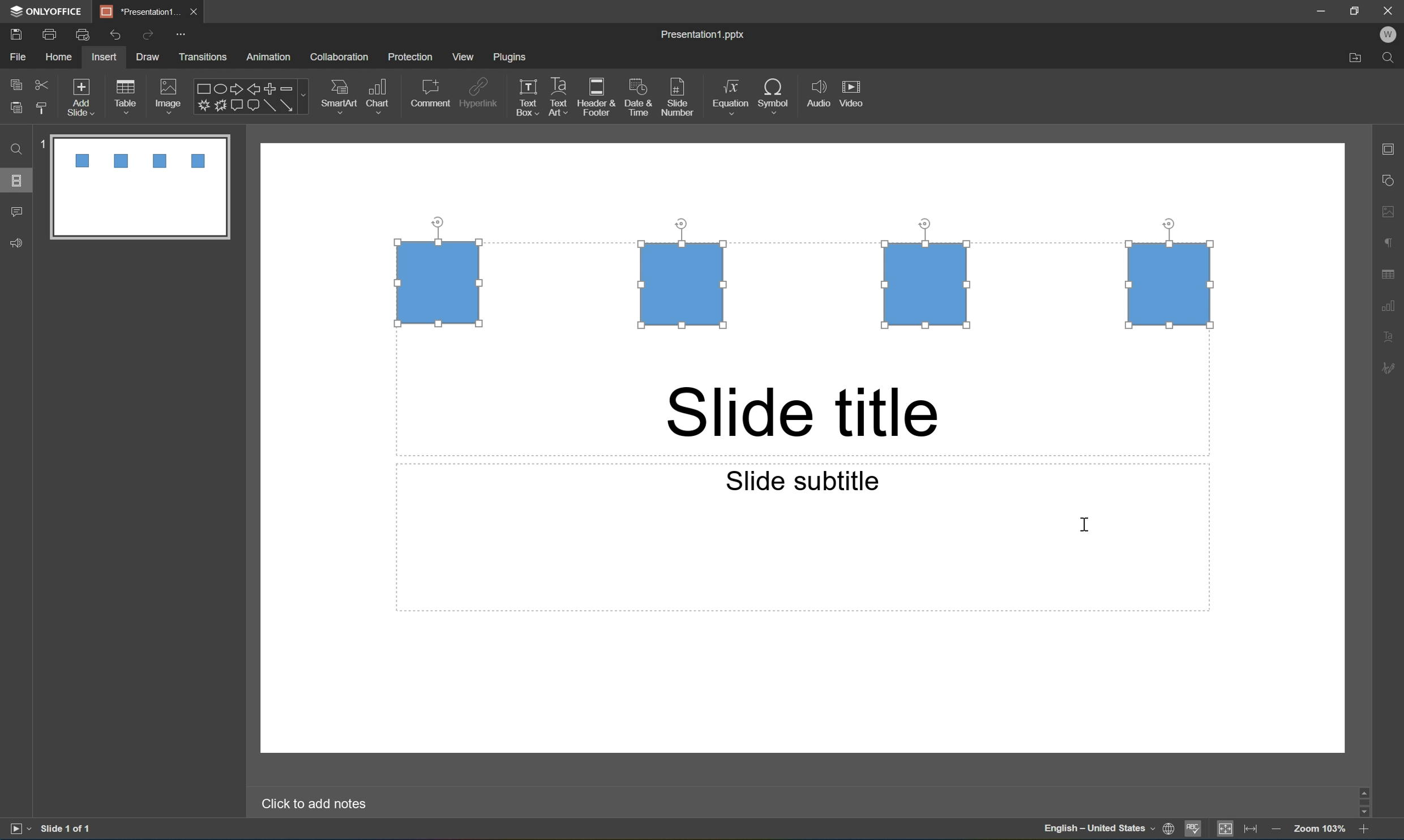 This screenshot has height=840, width=1404. I want to click on paragraph settings, so click(1393, 242).